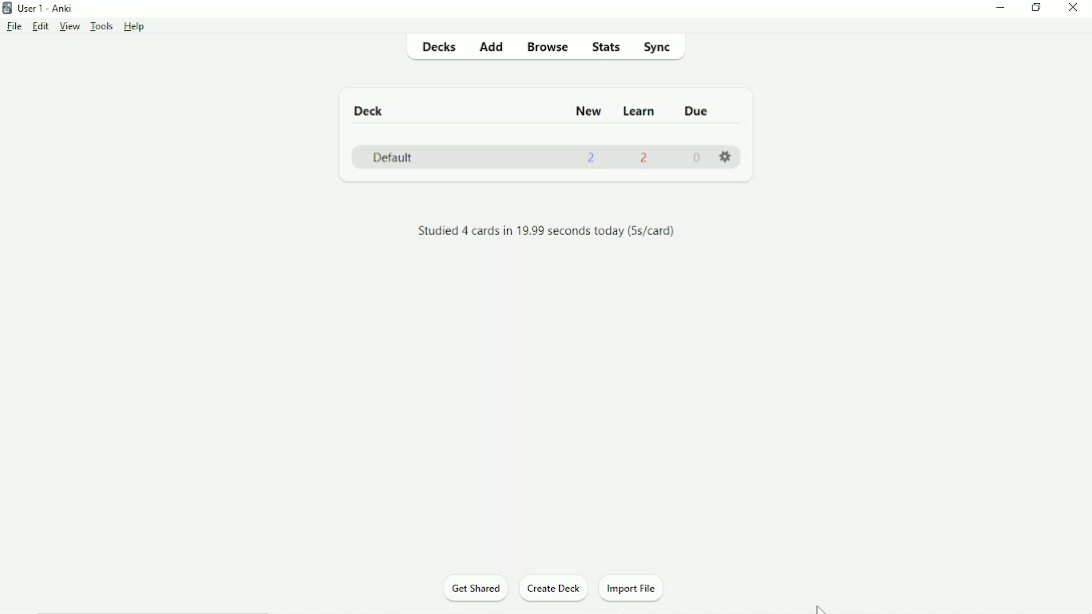  What do you see at coordinates (443, 48) in the screenshot?
I see `Decks` at bounding box center [443, 48].